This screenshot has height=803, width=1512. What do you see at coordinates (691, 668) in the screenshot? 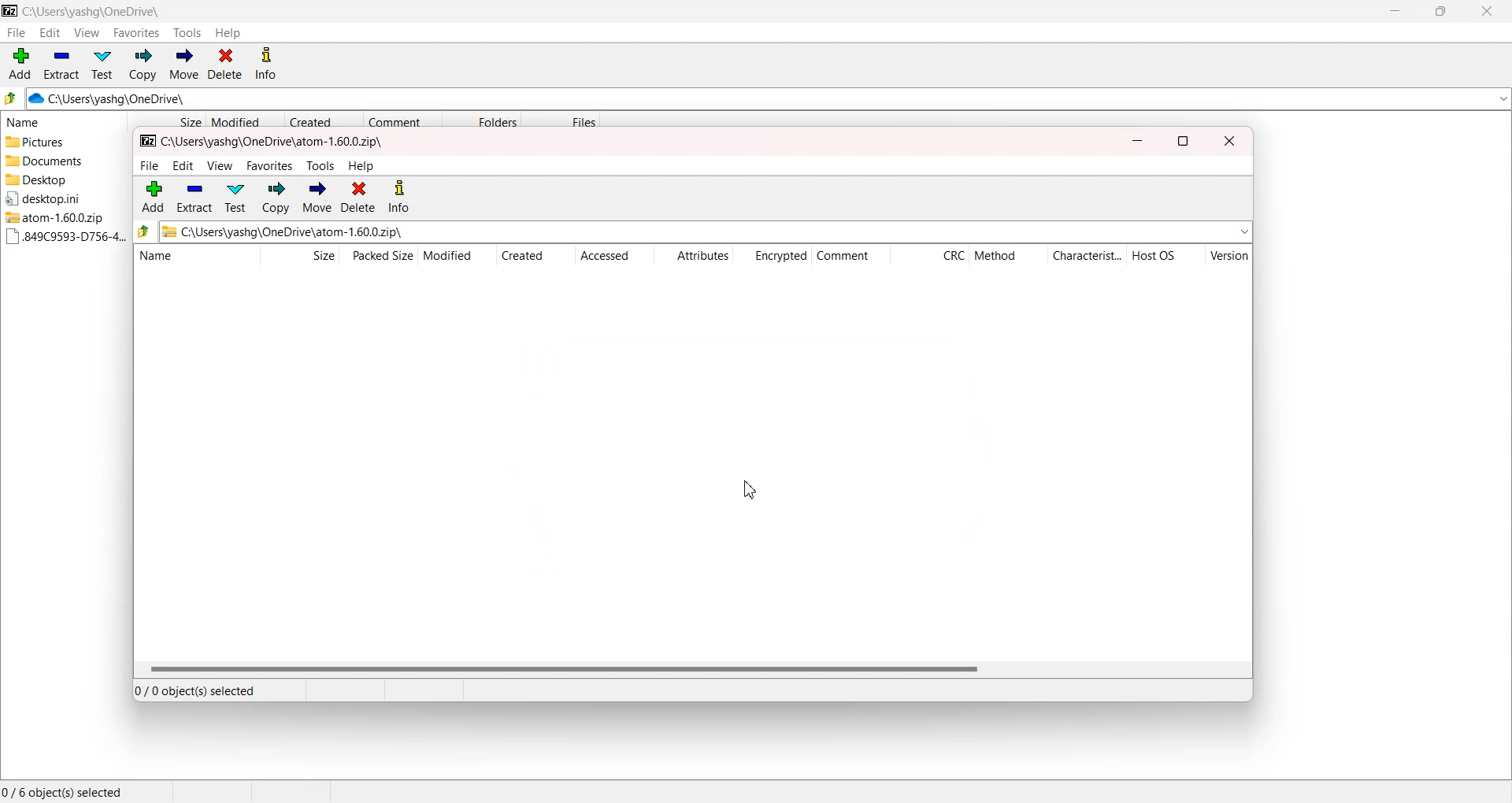
I see `Horizontal Scroll bar` at bounding box center [691, 668].